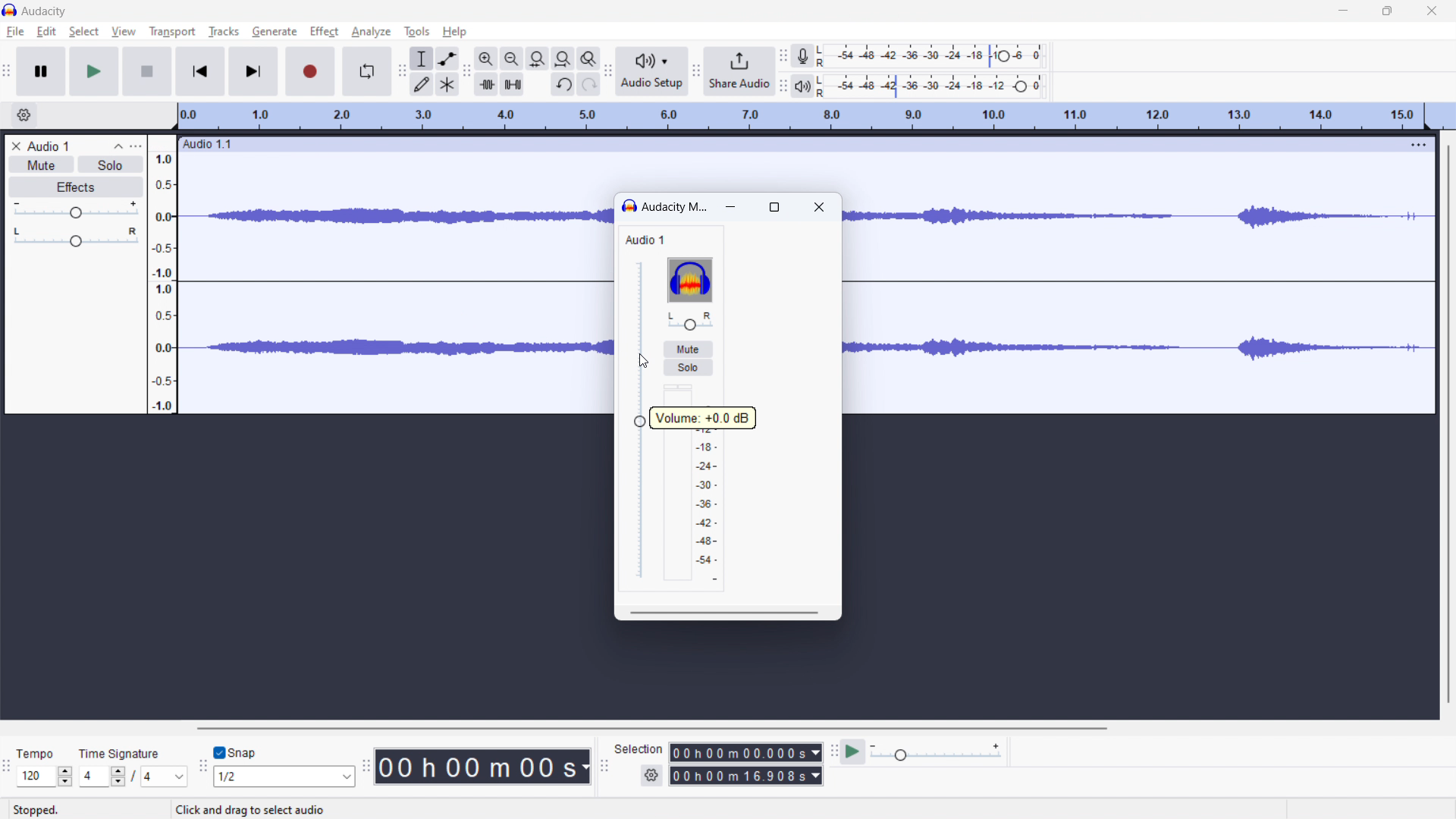 The image size is (1456, 819). I want to click on edit, so click(46, 33).